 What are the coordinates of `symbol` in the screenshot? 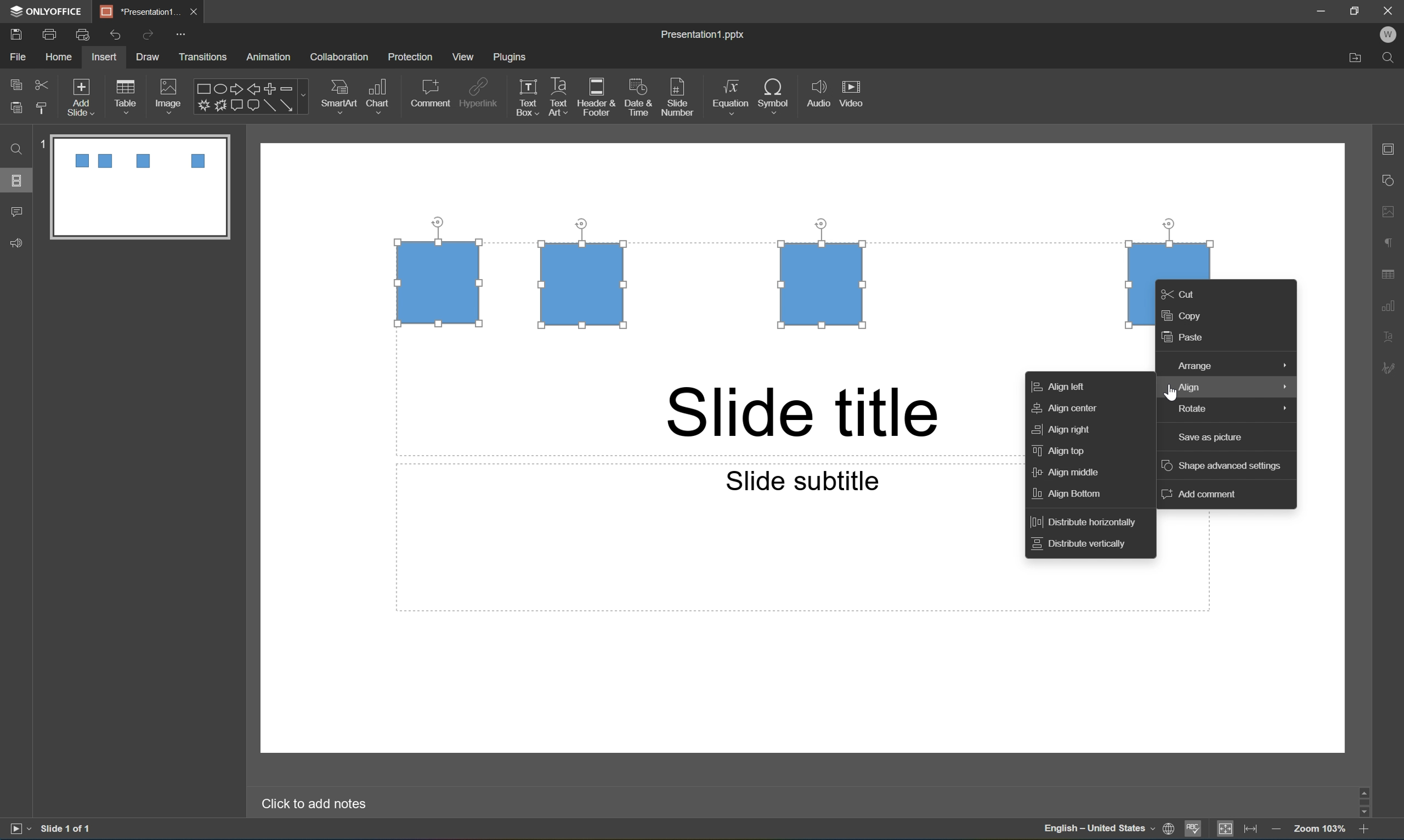 It's located at (774, 94).